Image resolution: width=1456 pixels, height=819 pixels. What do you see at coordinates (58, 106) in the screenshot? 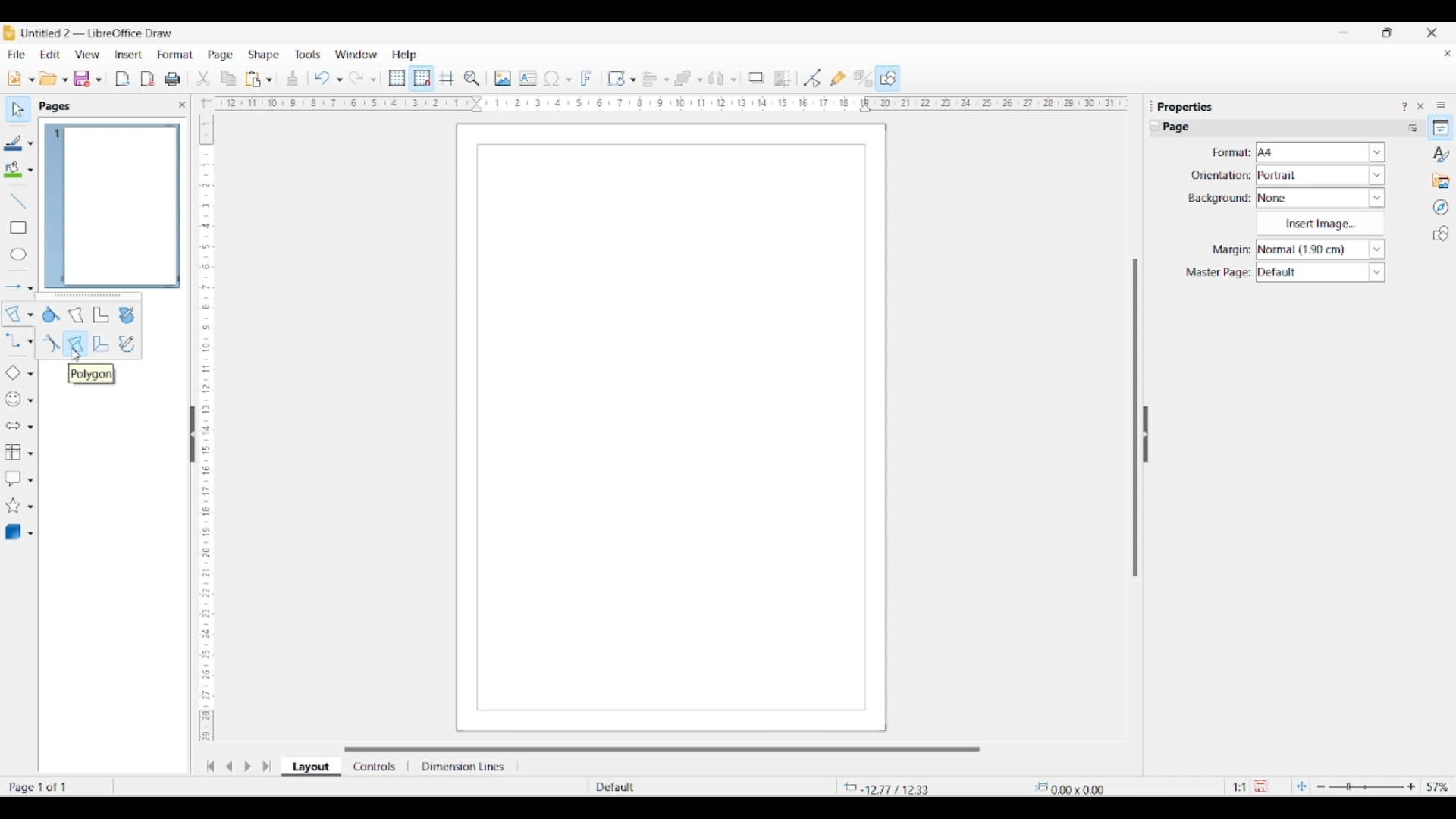
I see `Section title - Pages` at bounding box center [58, 106].